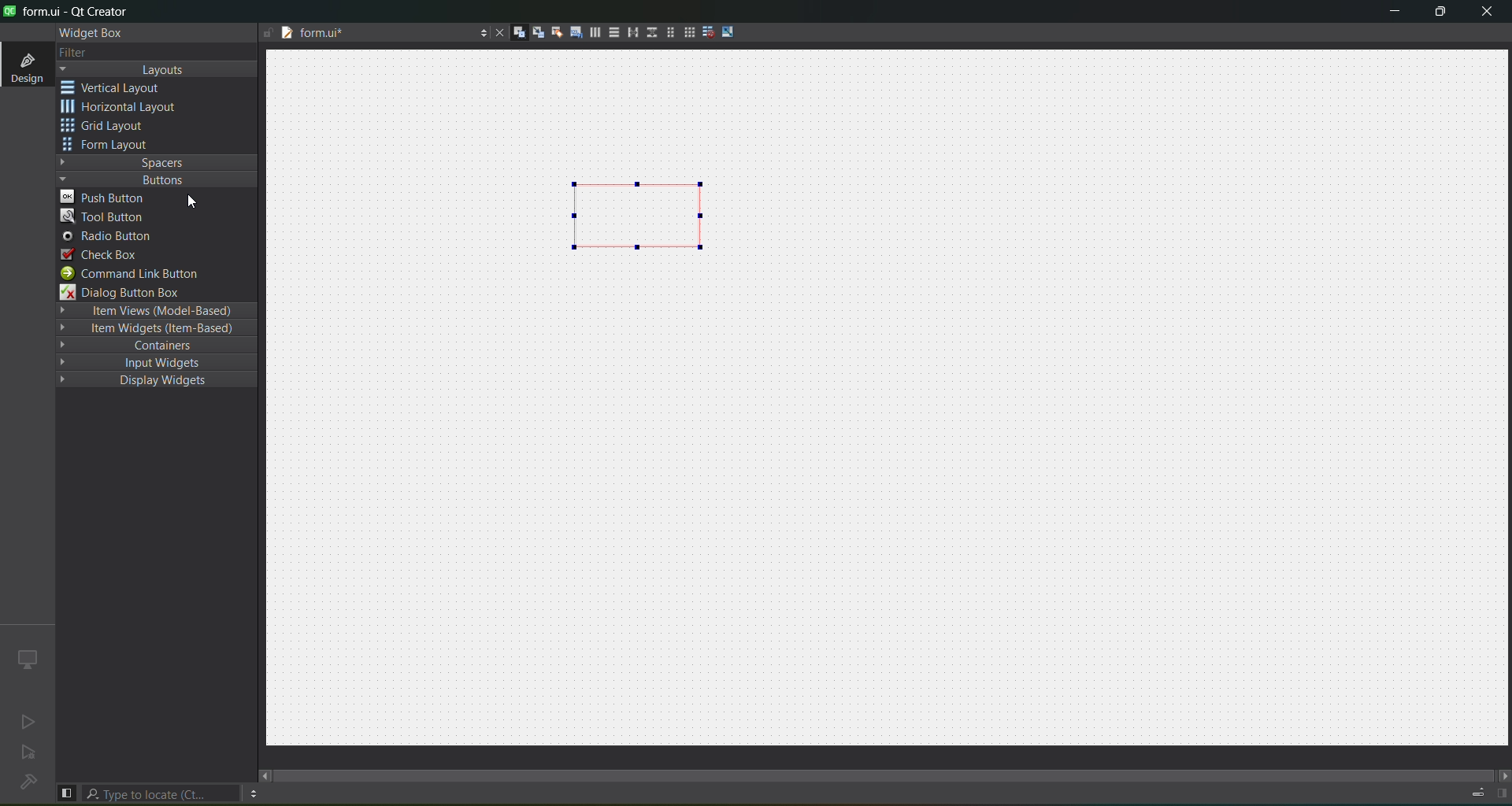 The width and height of the screenshot is (1512, 806). What do you see at coordinates (162, 793) in the screenshot?
I see `search` at bounding box center [162, 793].